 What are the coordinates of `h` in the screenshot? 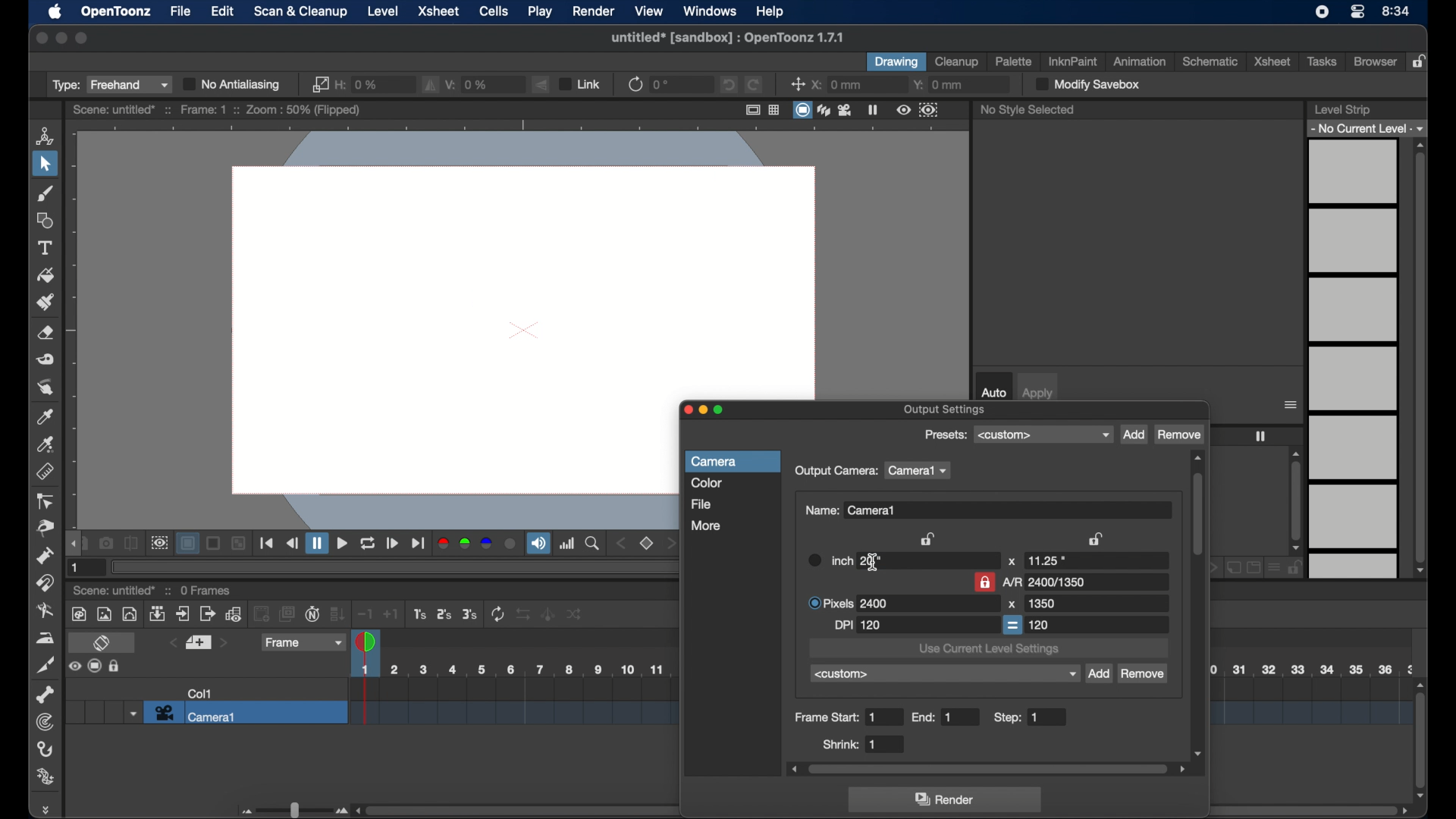 It's located at (359, 83).